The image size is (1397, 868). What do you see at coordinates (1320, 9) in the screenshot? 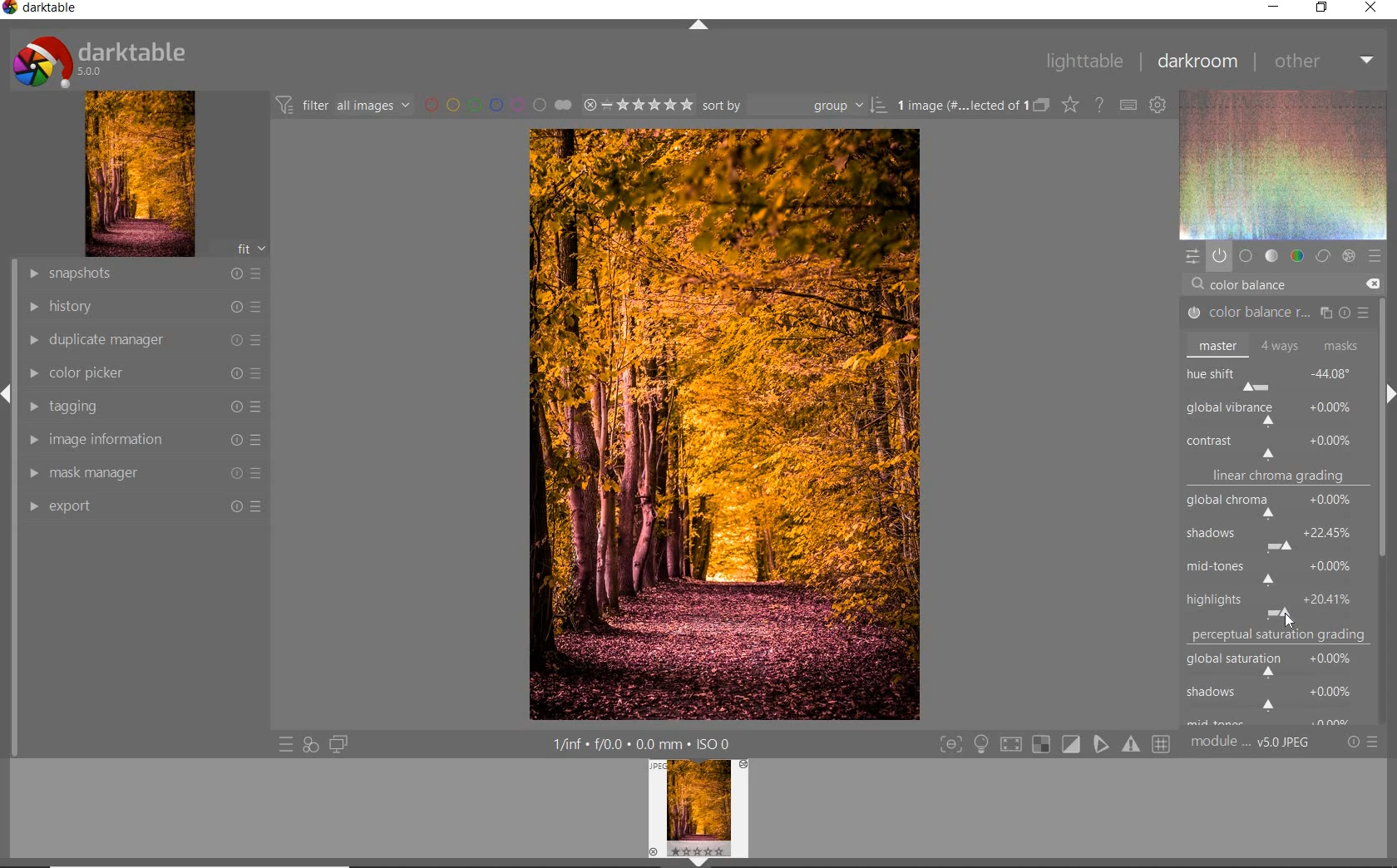
I see `restore` at bounding box center [1320, 9].